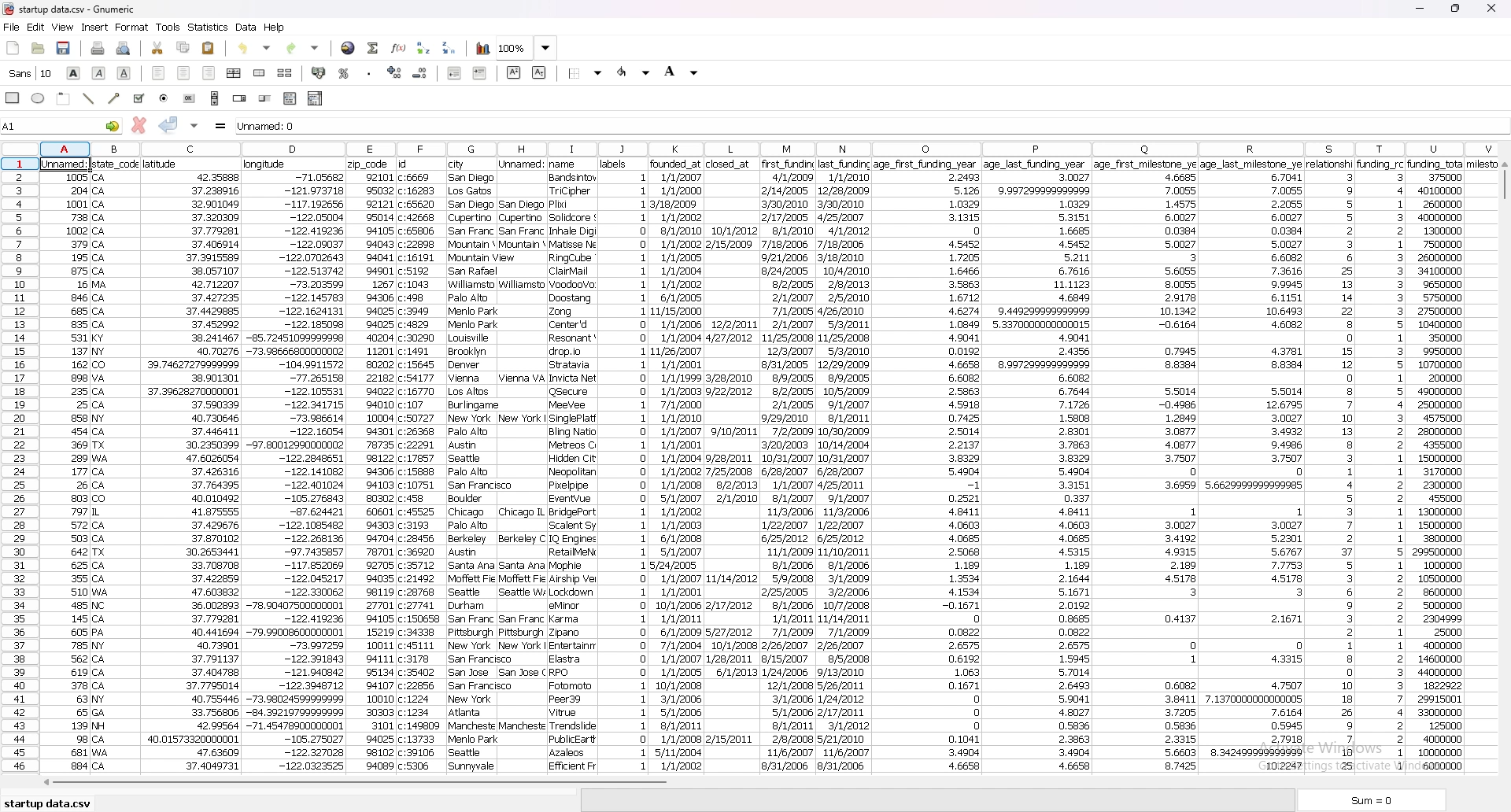 This screenshot has height=812, width=1511. Describe the element at coordinates (89, 98) in the screenshot. I see `line` at that location.